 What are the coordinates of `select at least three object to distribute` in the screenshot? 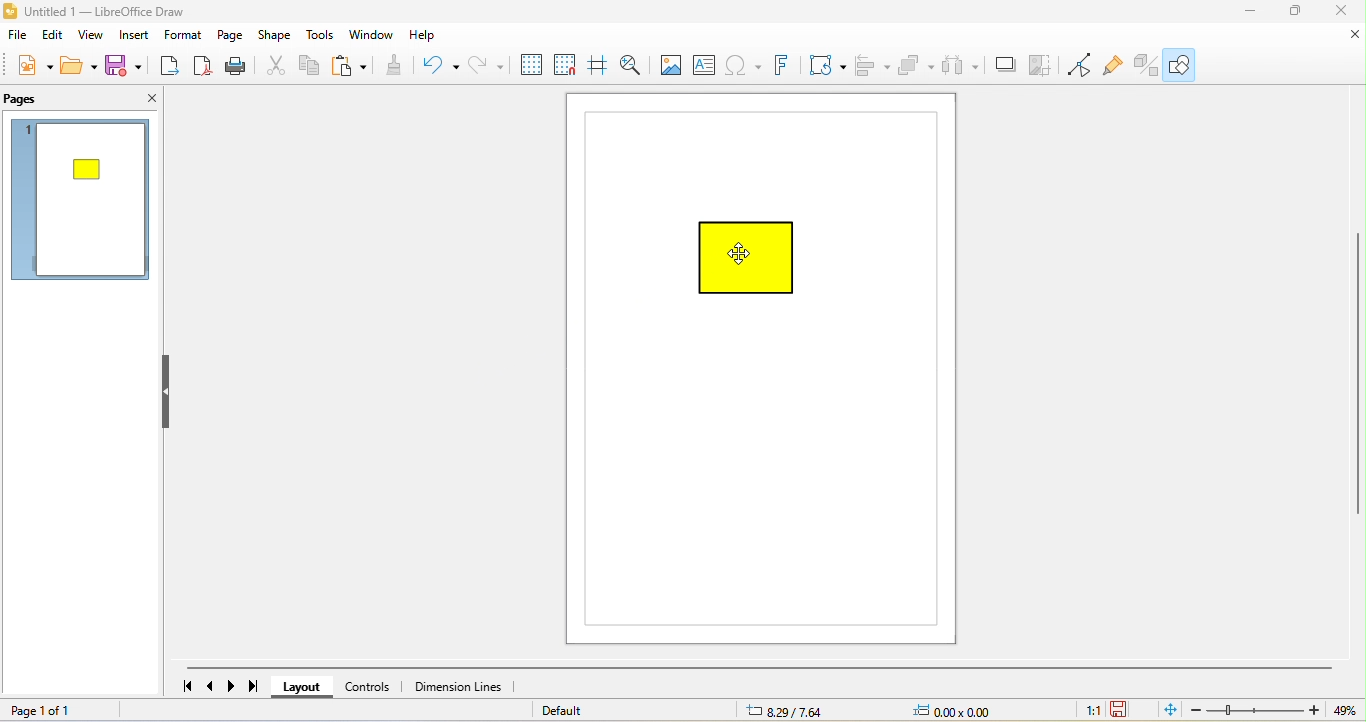 It's located at (963, 64).